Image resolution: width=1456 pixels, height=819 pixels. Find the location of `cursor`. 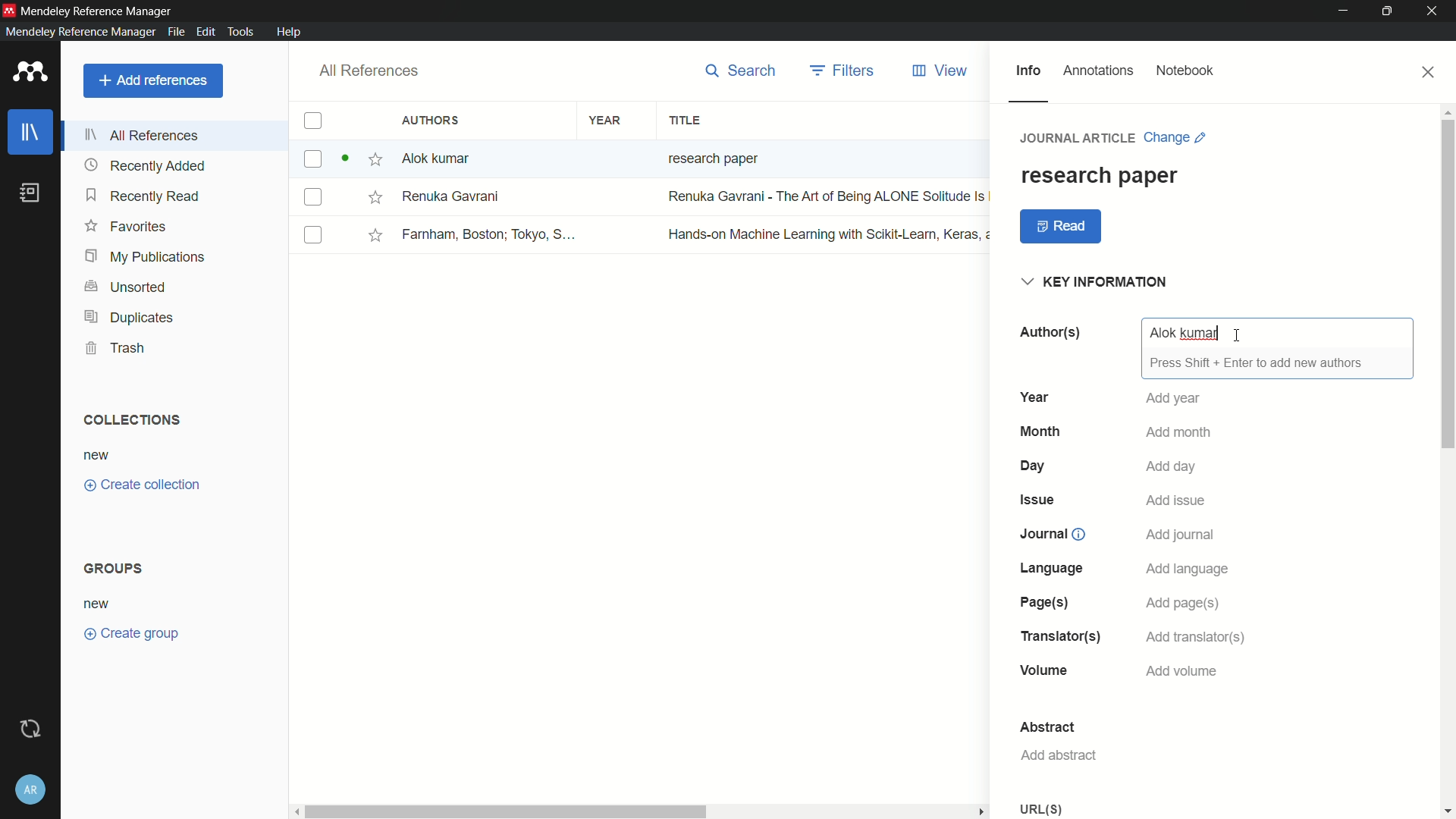

cursor is located at coordinates (1238, 334).